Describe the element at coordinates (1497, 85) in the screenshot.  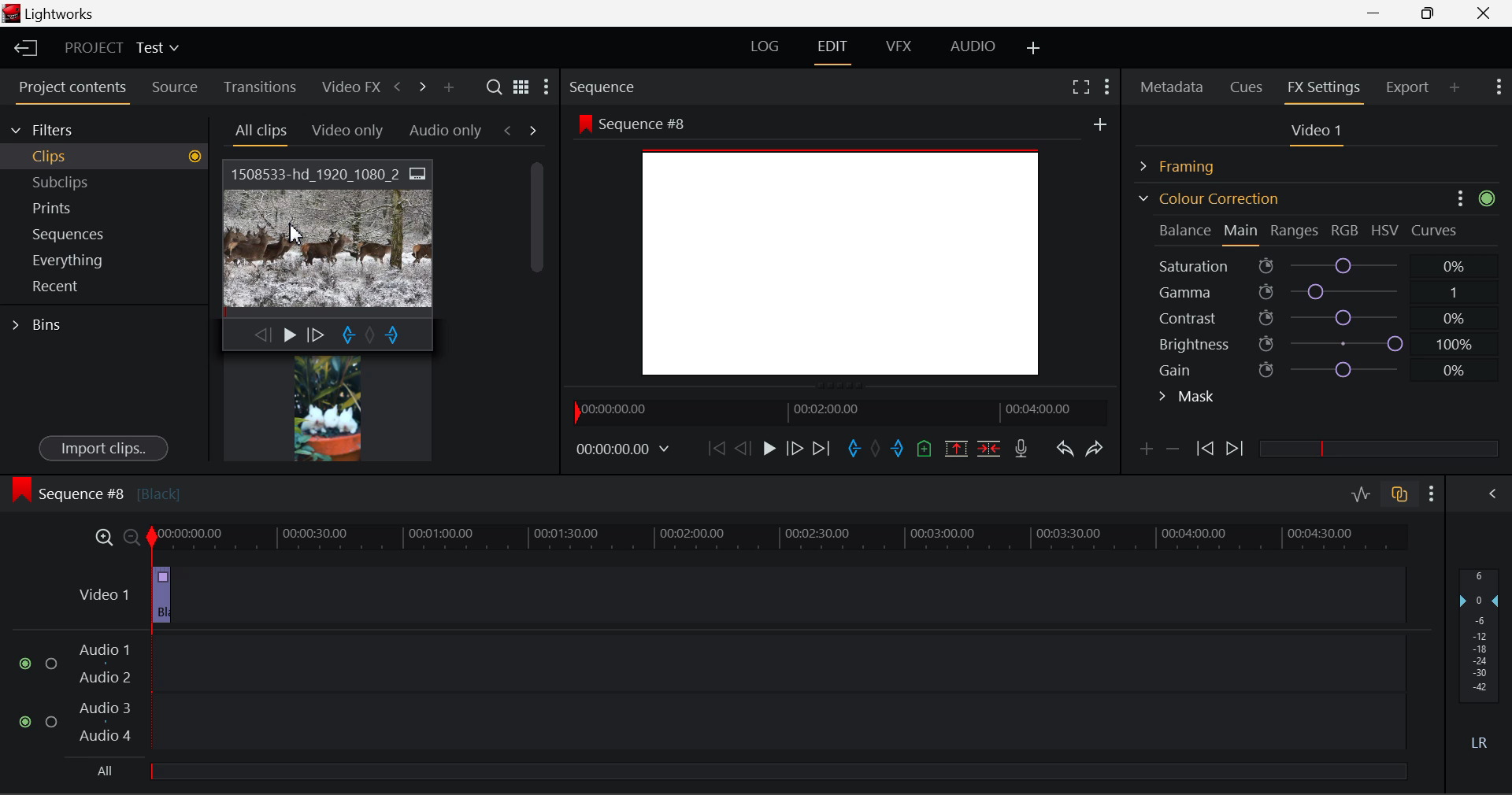
I see `Show Settings` at that location.